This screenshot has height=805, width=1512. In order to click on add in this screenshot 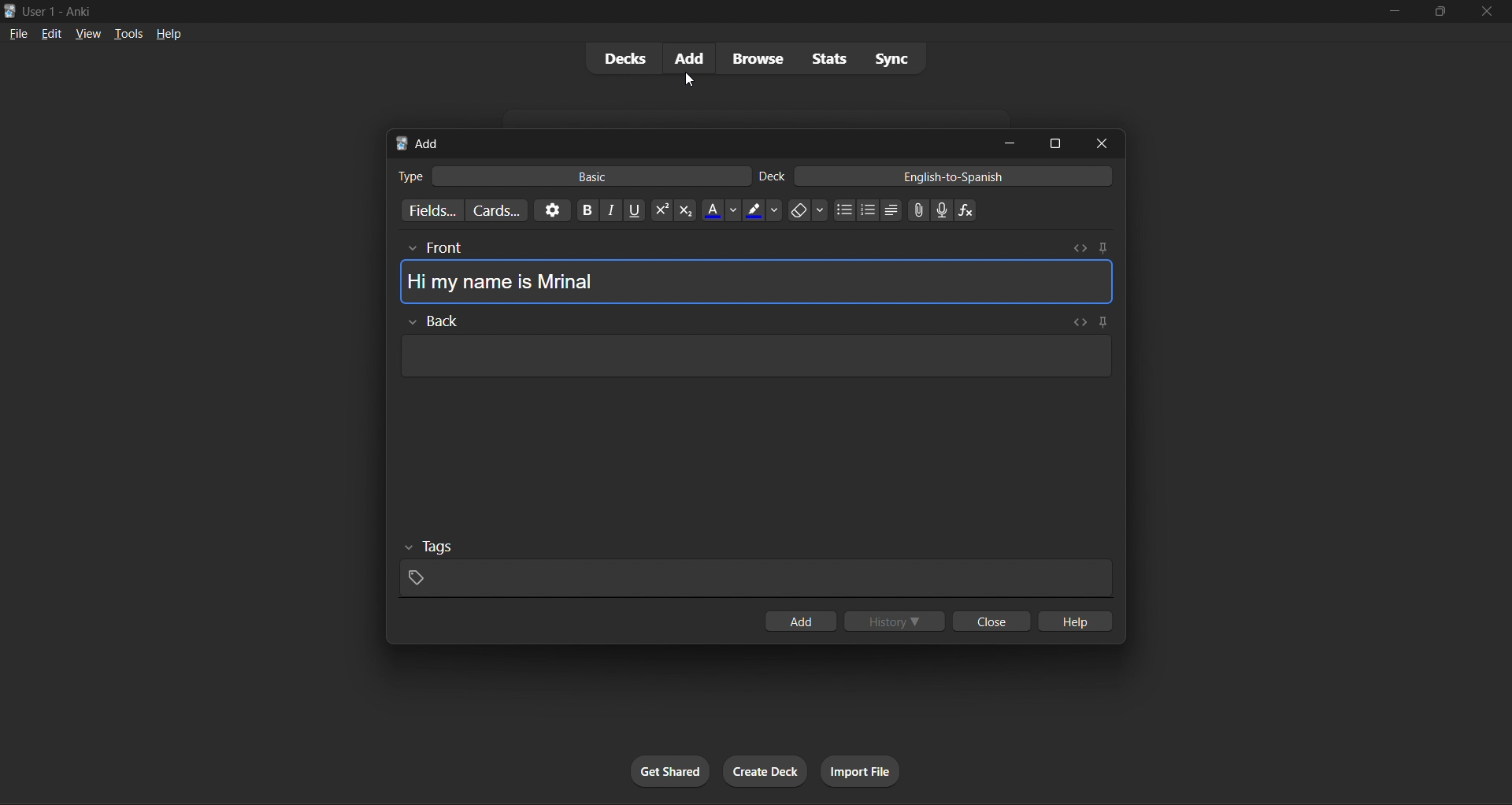, I will do `click(690, 57)`.